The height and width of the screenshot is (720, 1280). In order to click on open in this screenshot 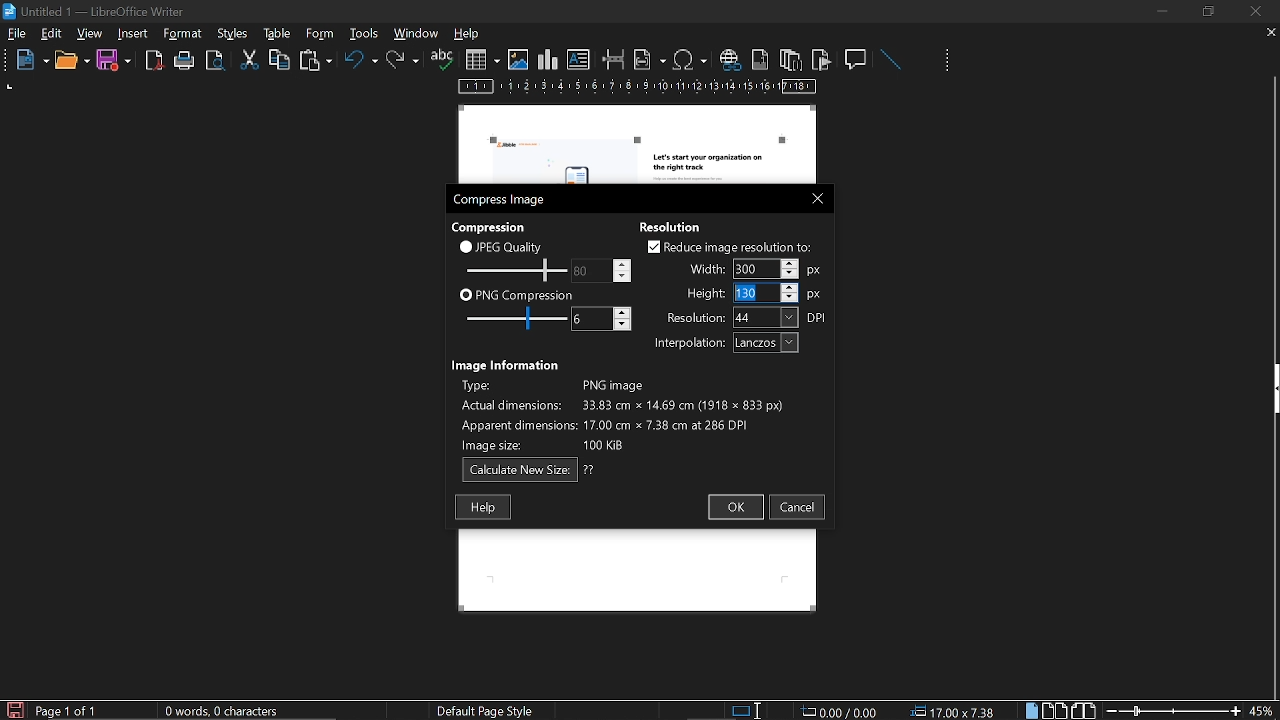, I will do `click(71, 61)`.